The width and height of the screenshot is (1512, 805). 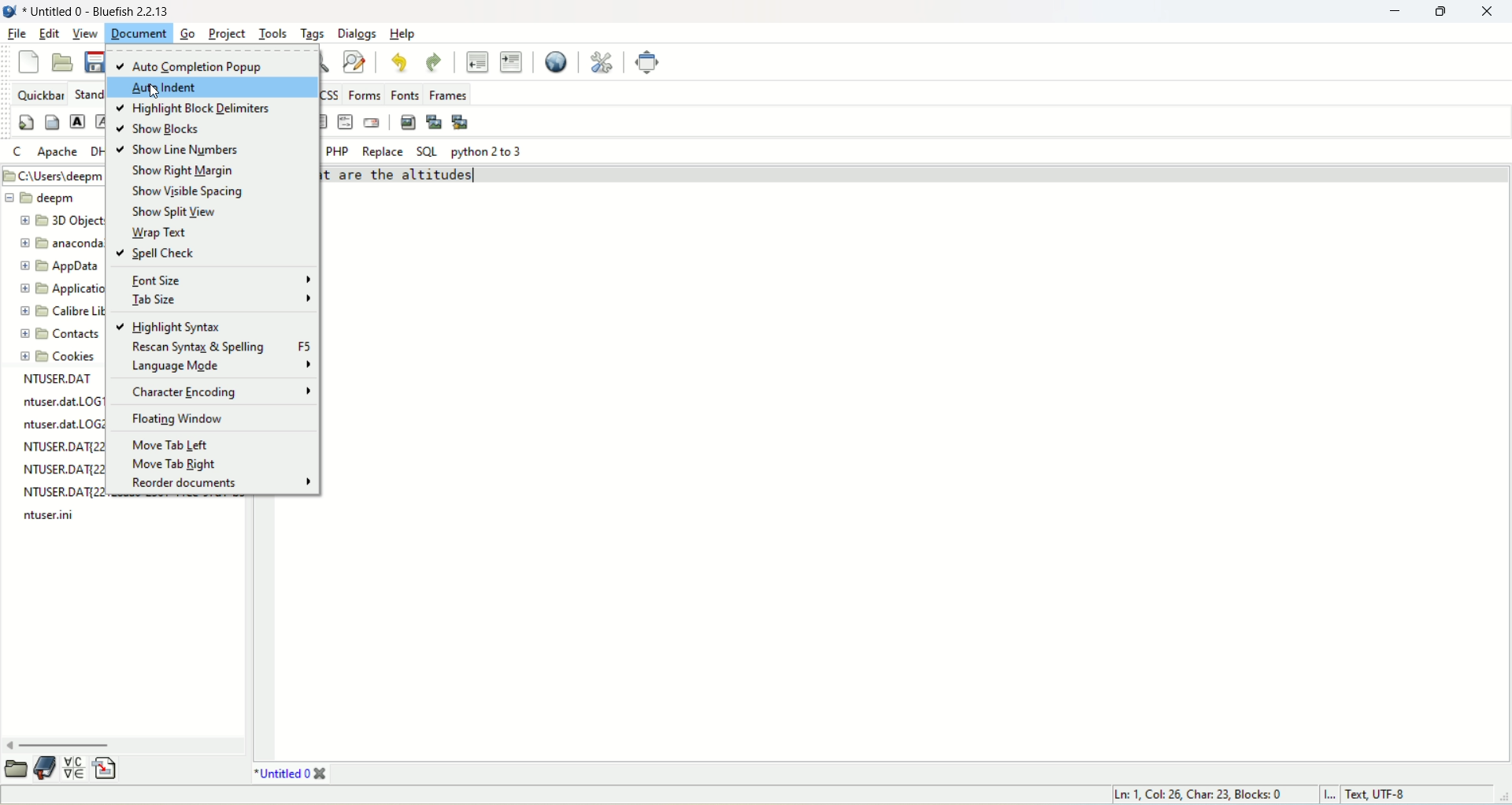 What do you see at coordinates (9, 11) in the screenshot?
I see `logo` at bounding box center [9, 11].